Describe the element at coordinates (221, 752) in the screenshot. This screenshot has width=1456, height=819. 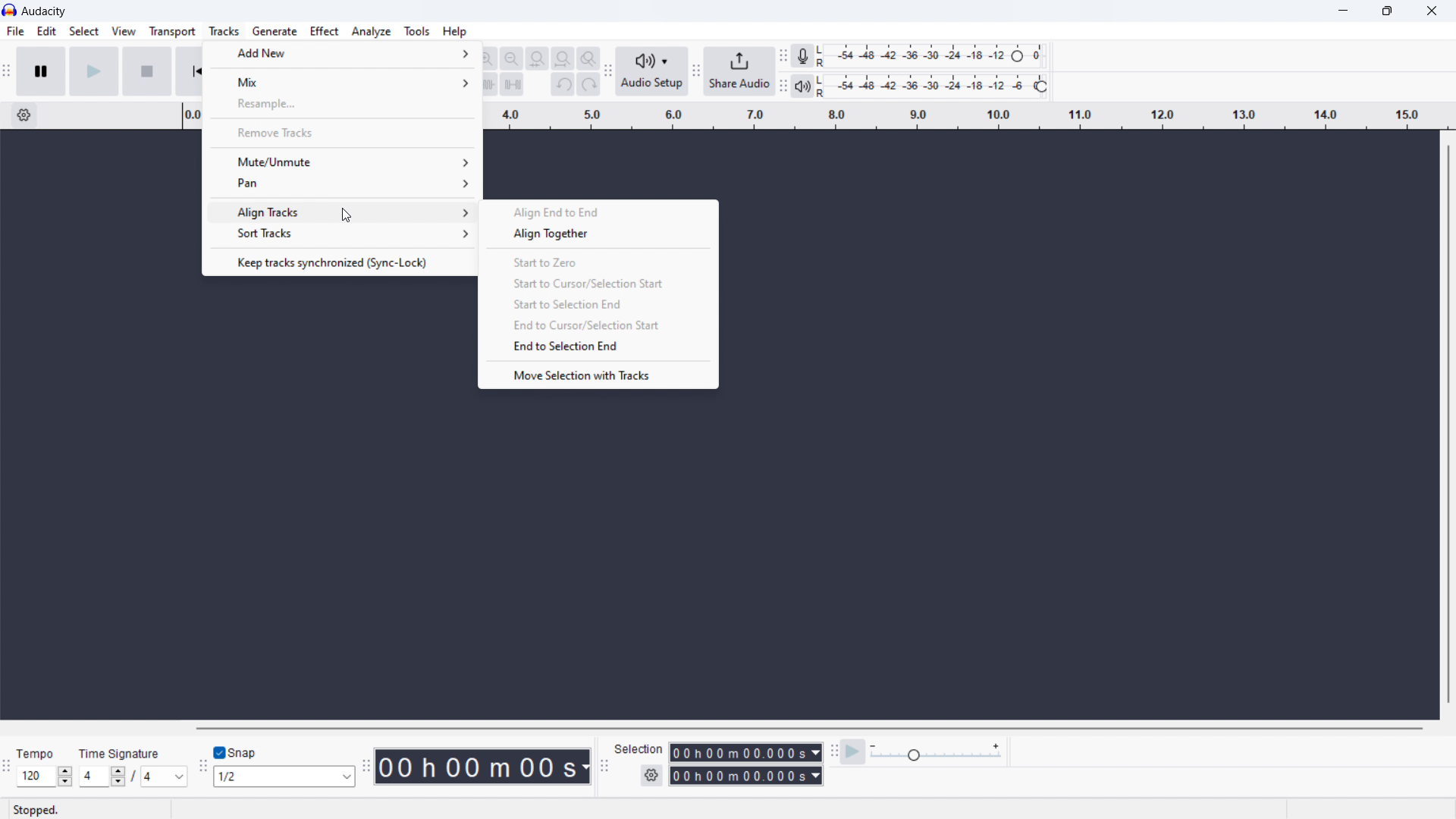
I see `checkbox` at that location.